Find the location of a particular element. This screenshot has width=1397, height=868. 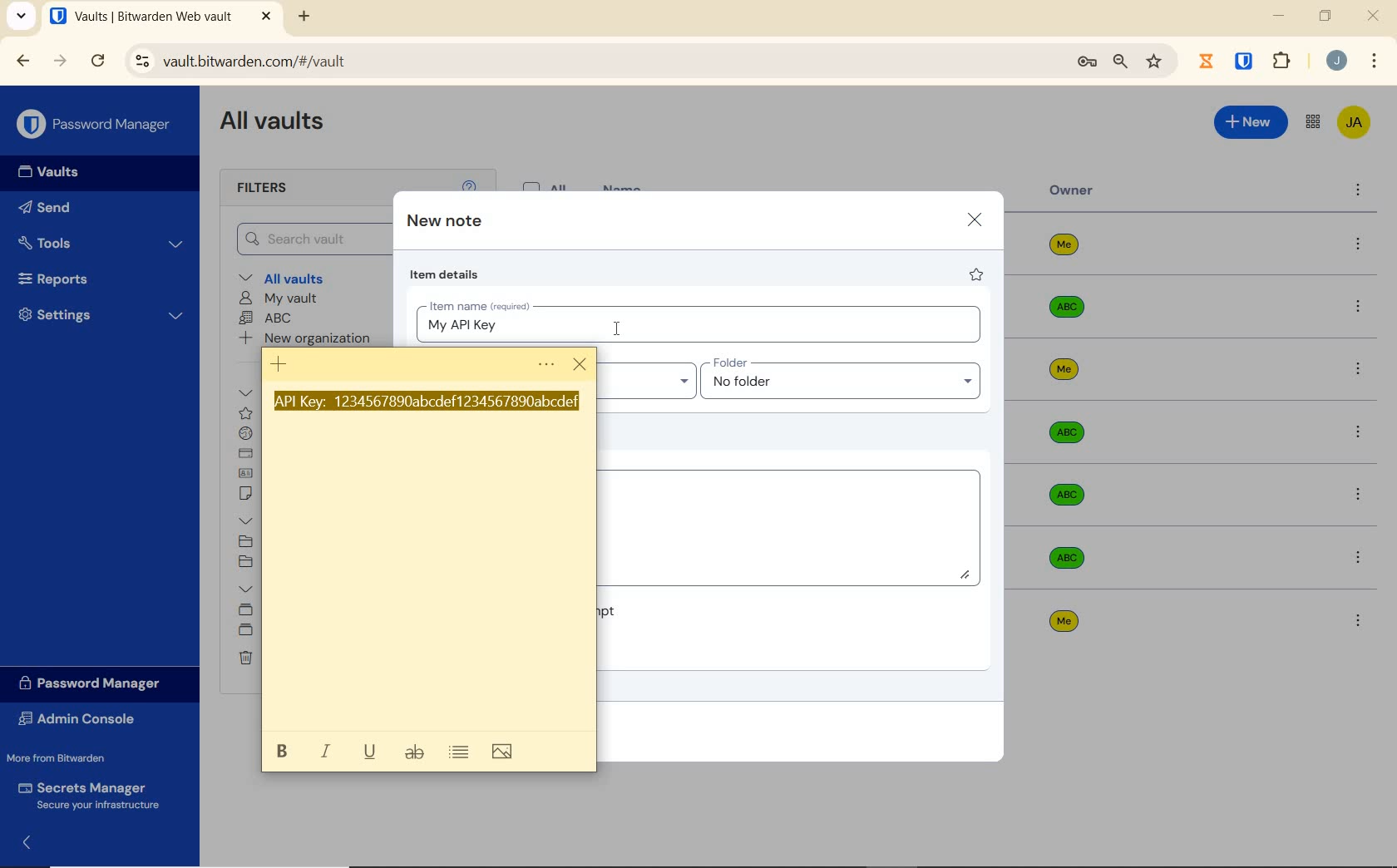

Item name (required) is located at coordinates (478, 303).